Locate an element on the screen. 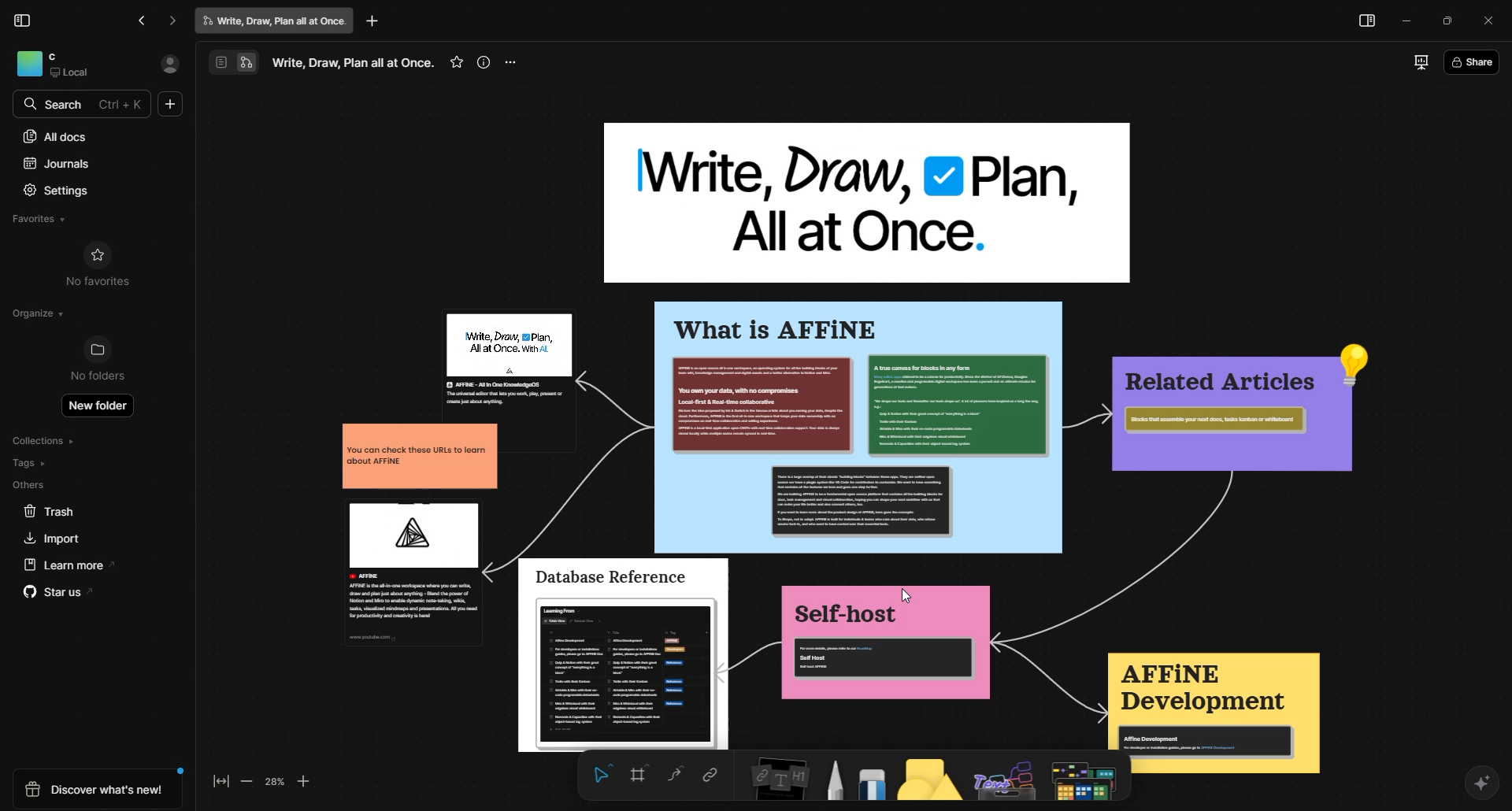 This screenshot has height=811, width=1512. Sidepanel is located at coordinates (1366, 23).